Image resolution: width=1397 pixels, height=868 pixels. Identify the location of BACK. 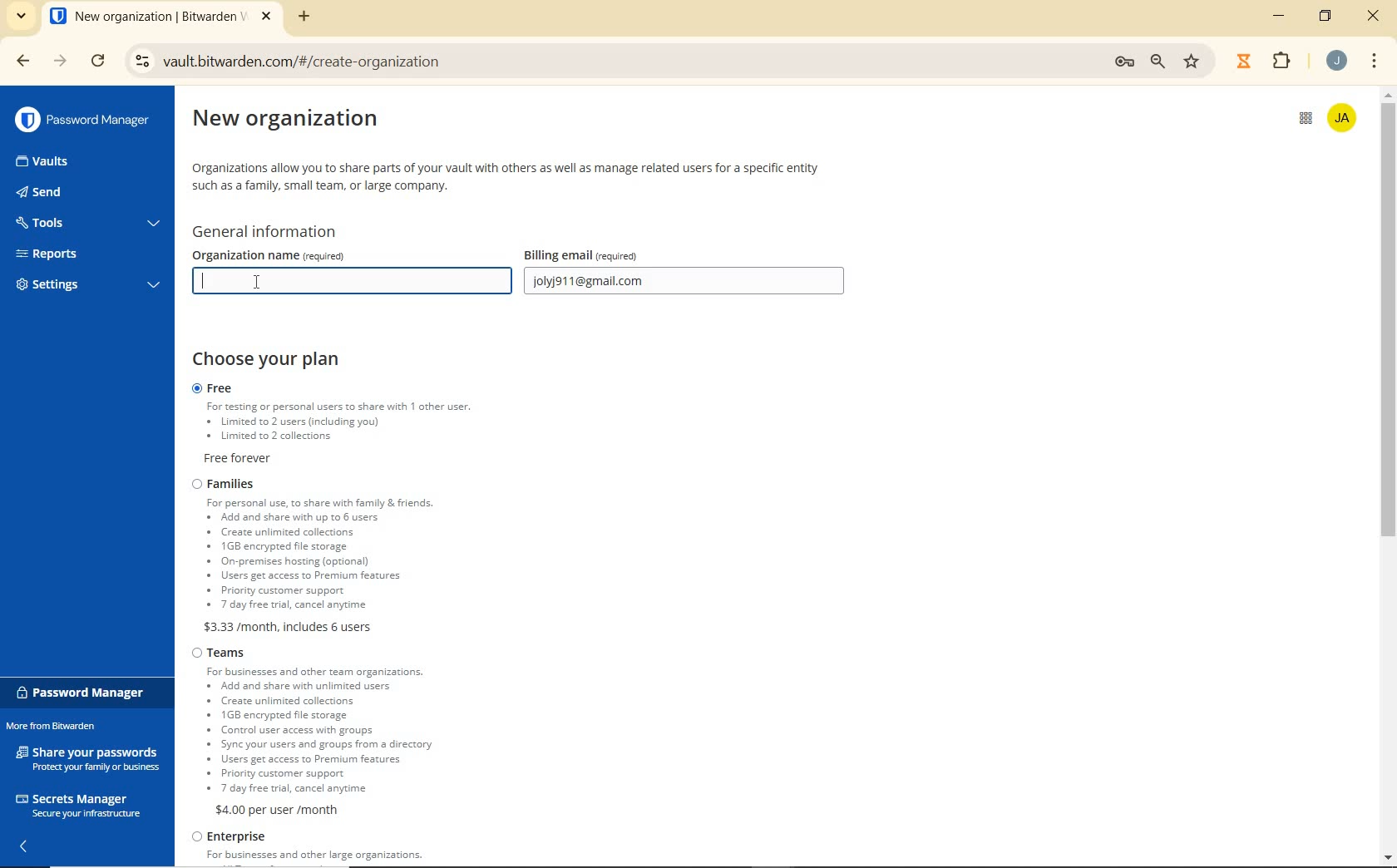
(15, 61).